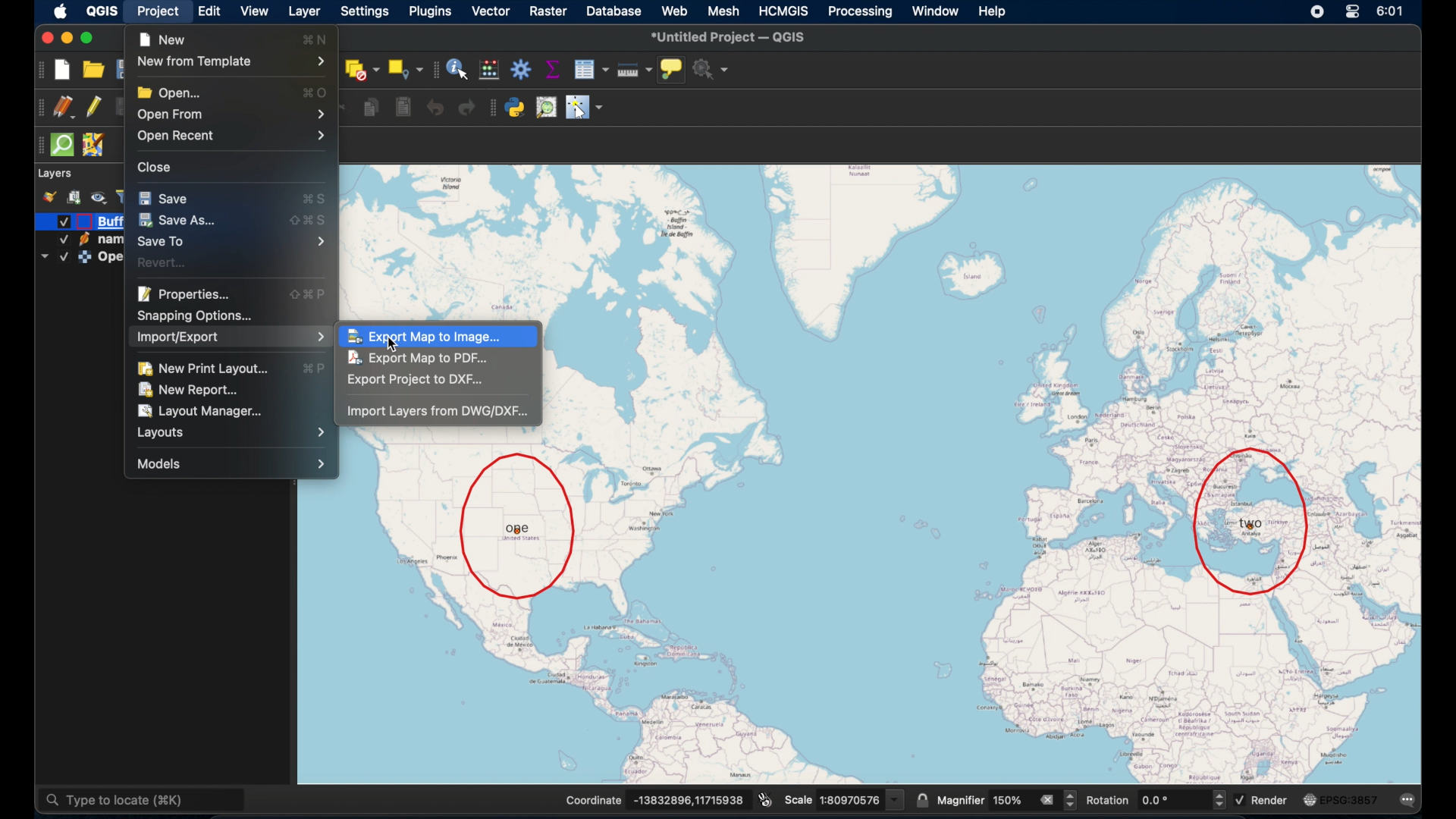 The width and height of the screenshot is (1456, 819). Describe the element at coordinates (234, 115) in the screenshot. I see `open form` at that location.